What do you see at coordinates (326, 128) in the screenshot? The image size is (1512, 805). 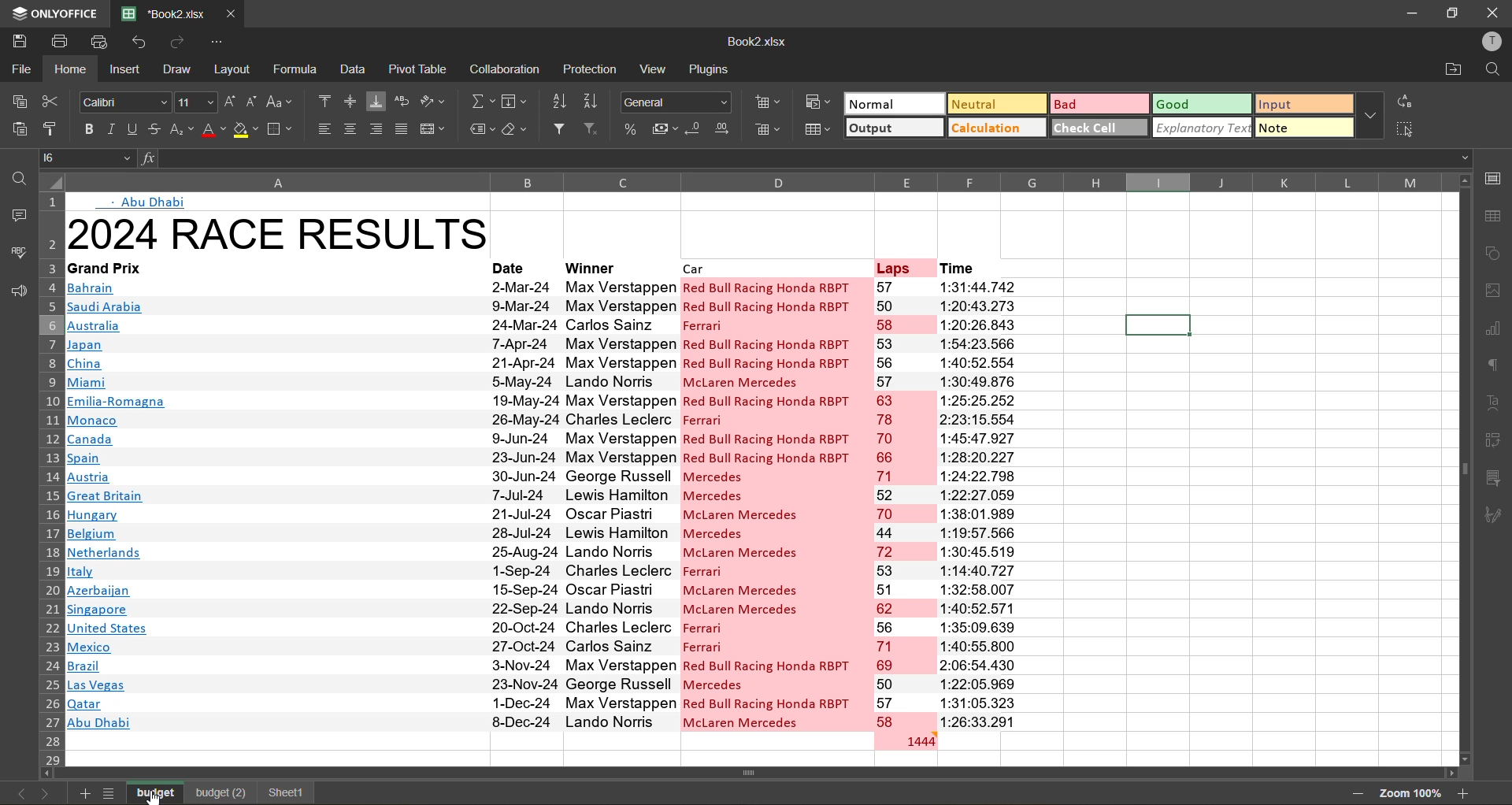 I see `align left` at bounding box center [326, 128].